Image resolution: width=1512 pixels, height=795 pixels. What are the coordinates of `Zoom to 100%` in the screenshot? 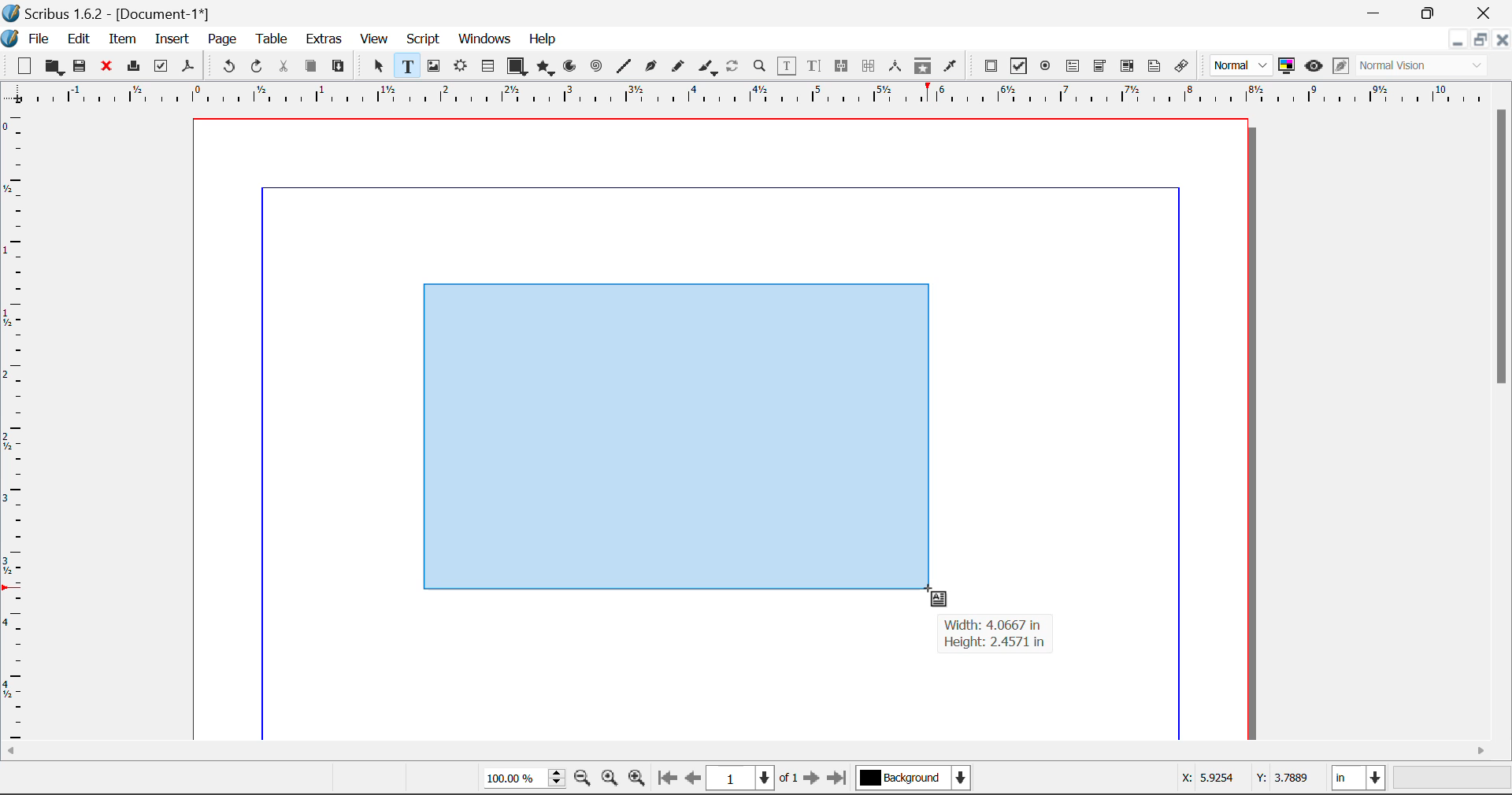 It's located at (610, 780).